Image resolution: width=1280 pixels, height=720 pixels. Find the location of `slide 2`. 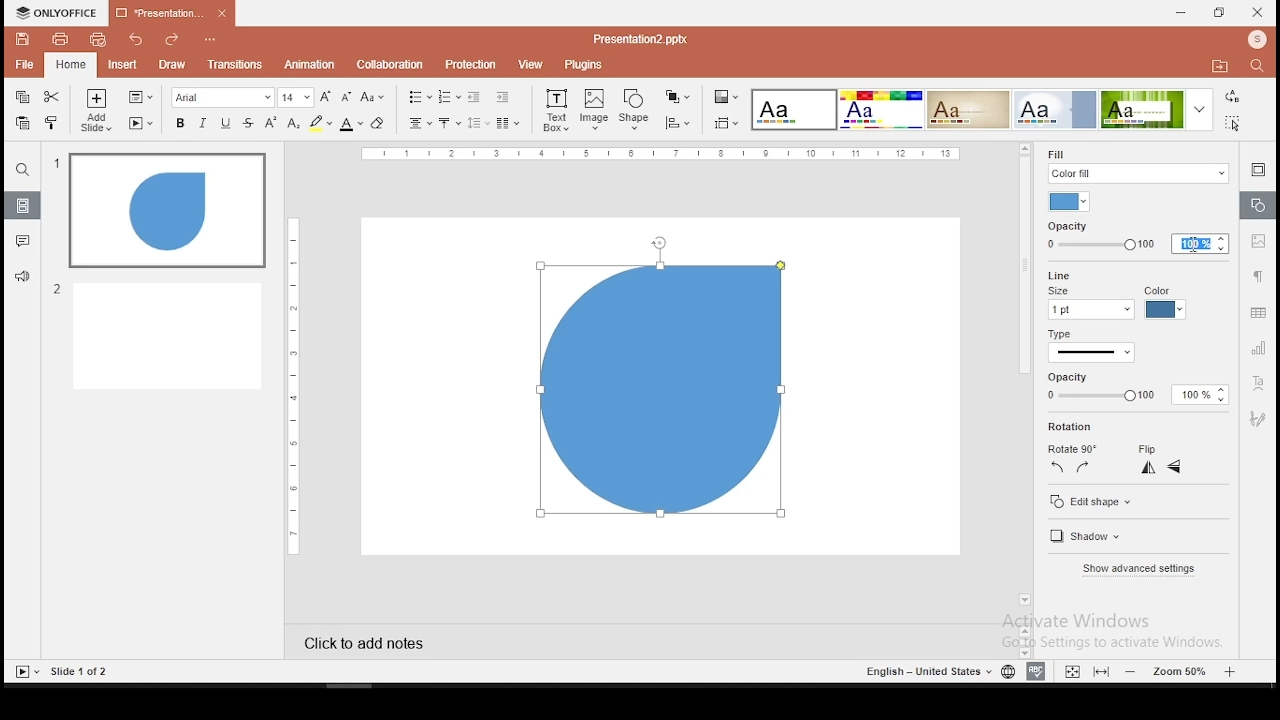

slide 2 is located at coordinates (157, 335).